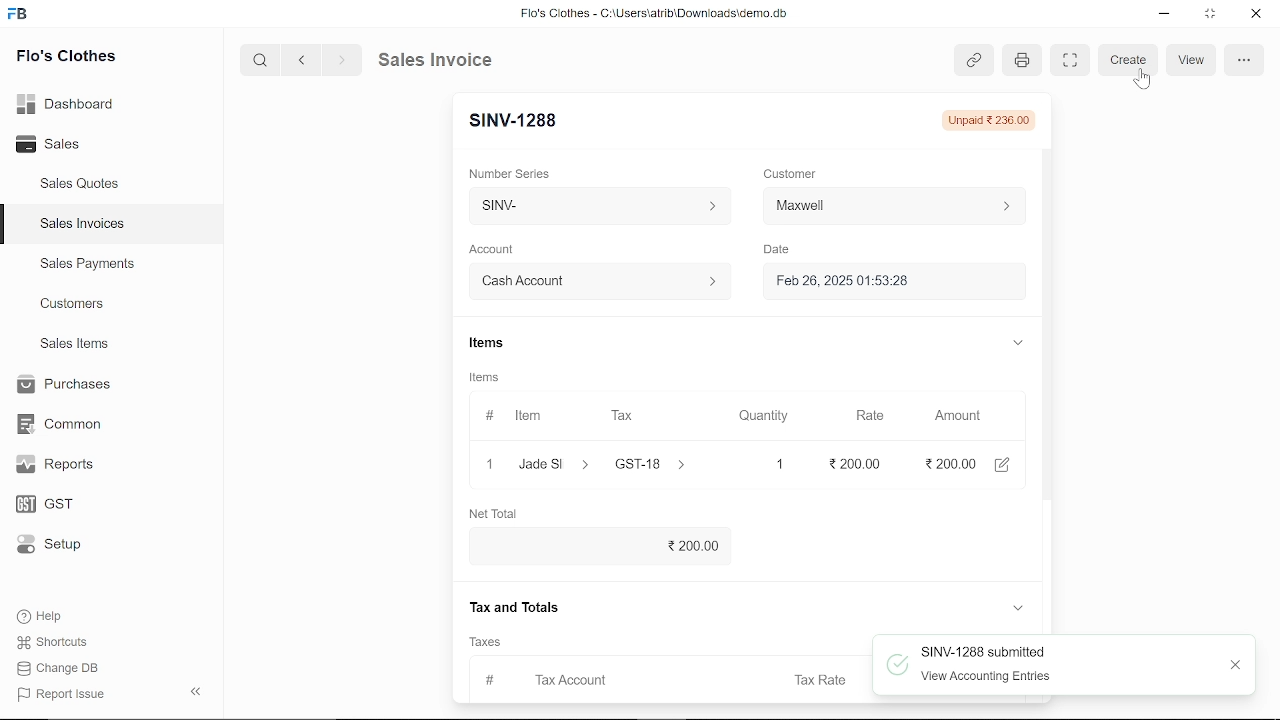  I want to click on open calender, so click(1006, 281).